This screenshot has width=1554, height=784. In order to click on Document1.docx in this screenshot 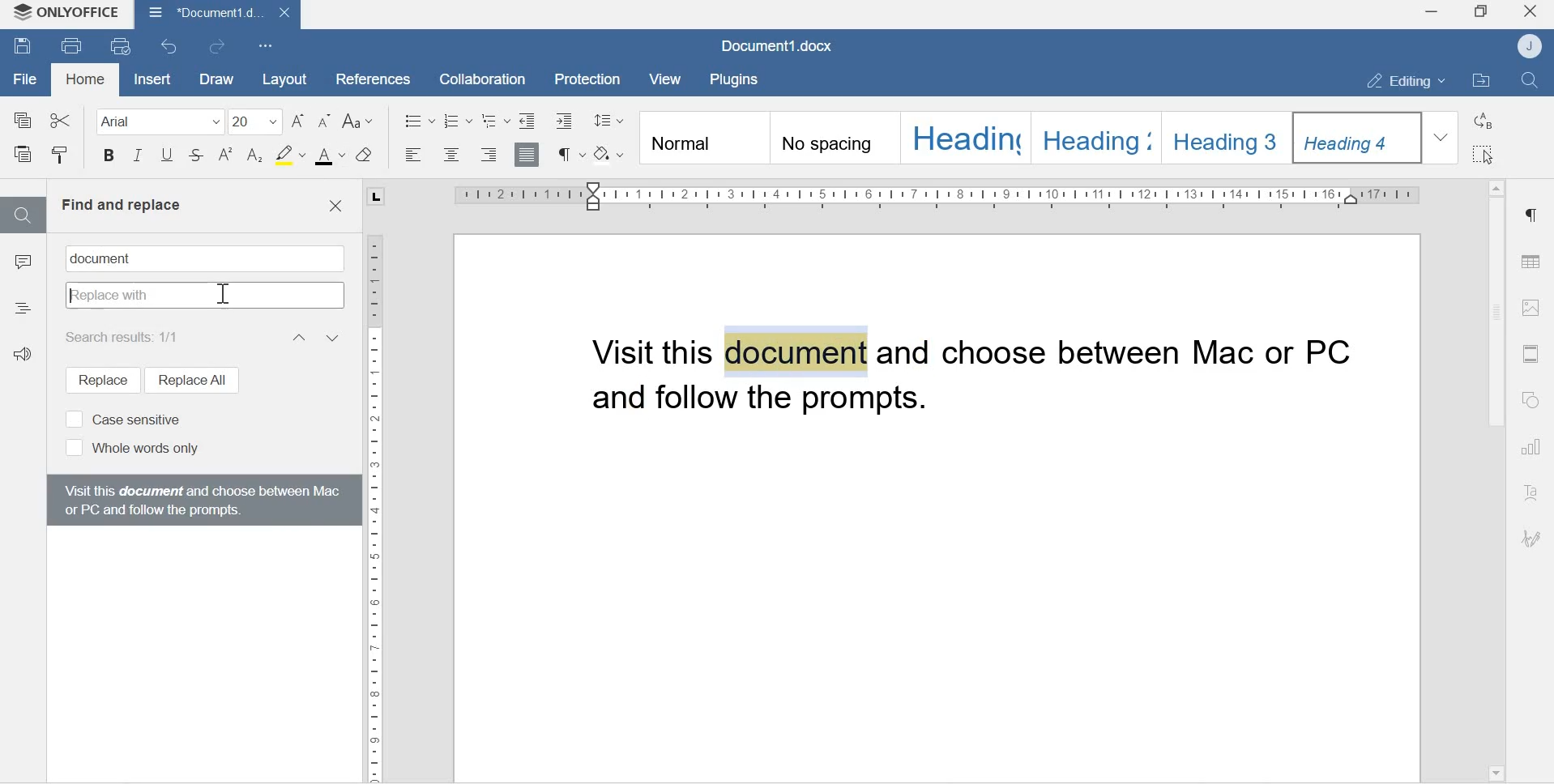, I will do `click(780, 47)`.